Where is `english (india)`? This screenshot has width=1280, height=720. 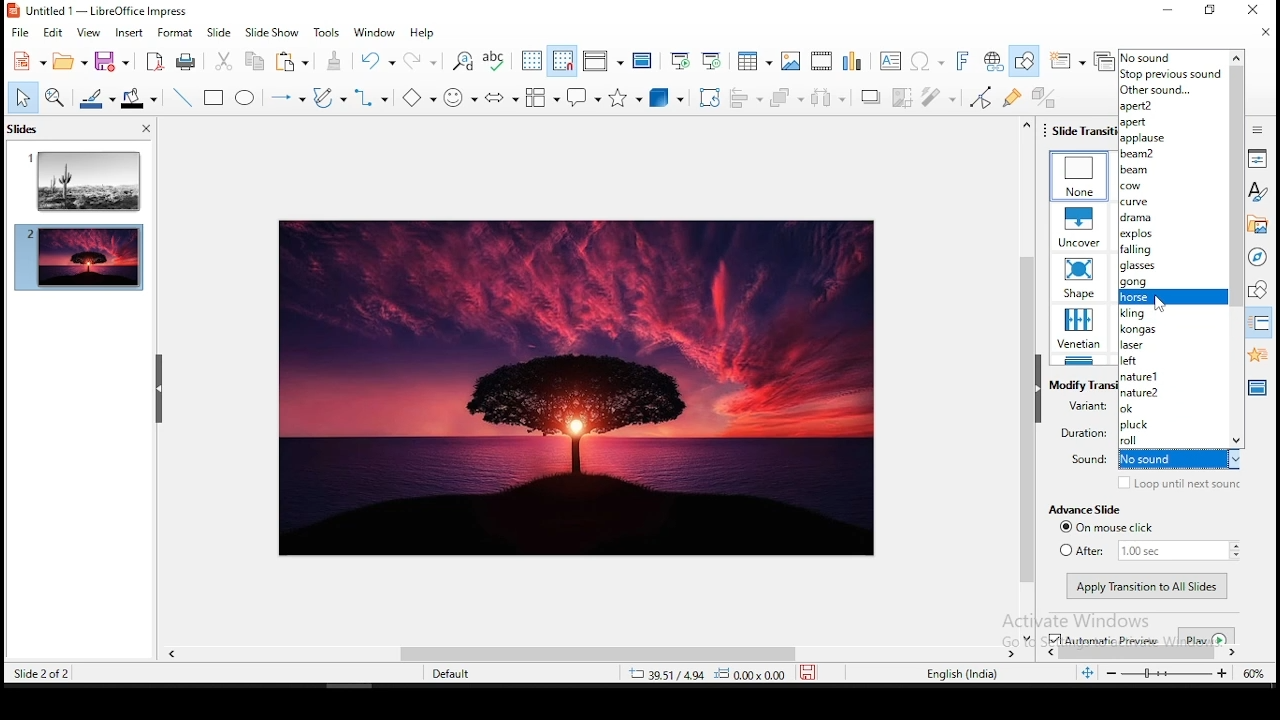
english (india) is located at coordinates (961, 674).